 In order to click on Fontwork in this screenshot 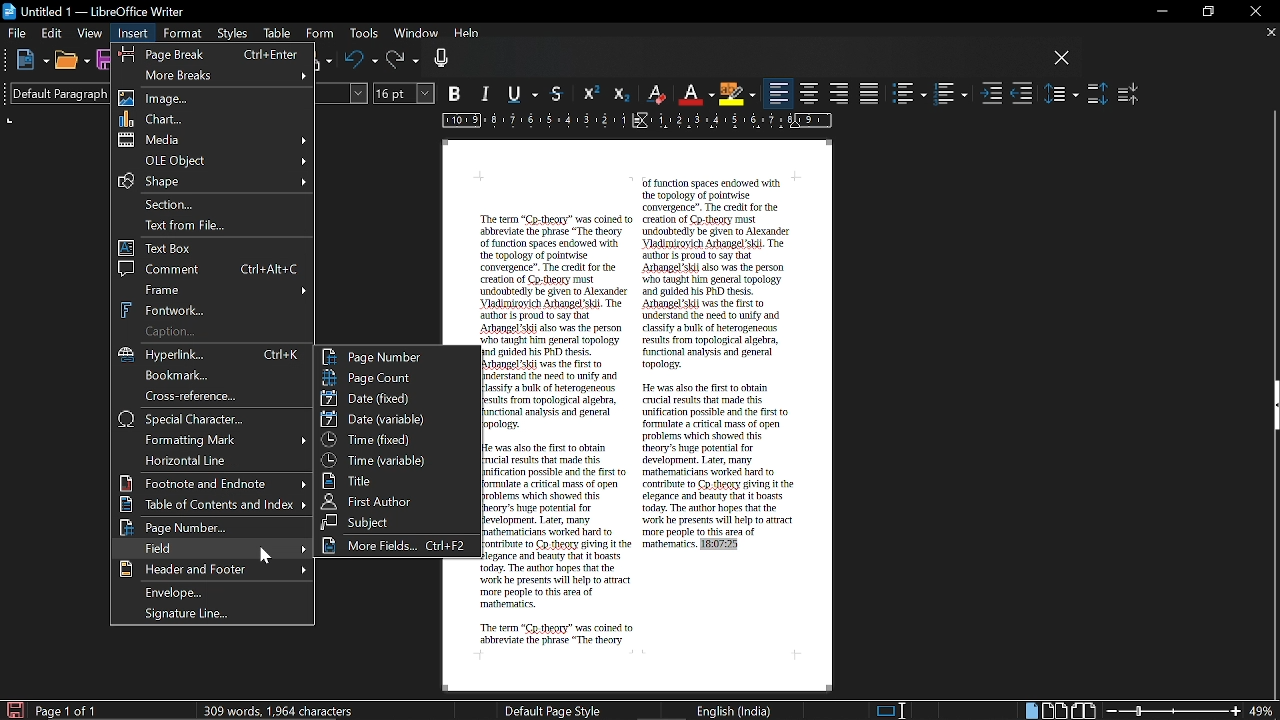, I will do `click(215, 309)`.